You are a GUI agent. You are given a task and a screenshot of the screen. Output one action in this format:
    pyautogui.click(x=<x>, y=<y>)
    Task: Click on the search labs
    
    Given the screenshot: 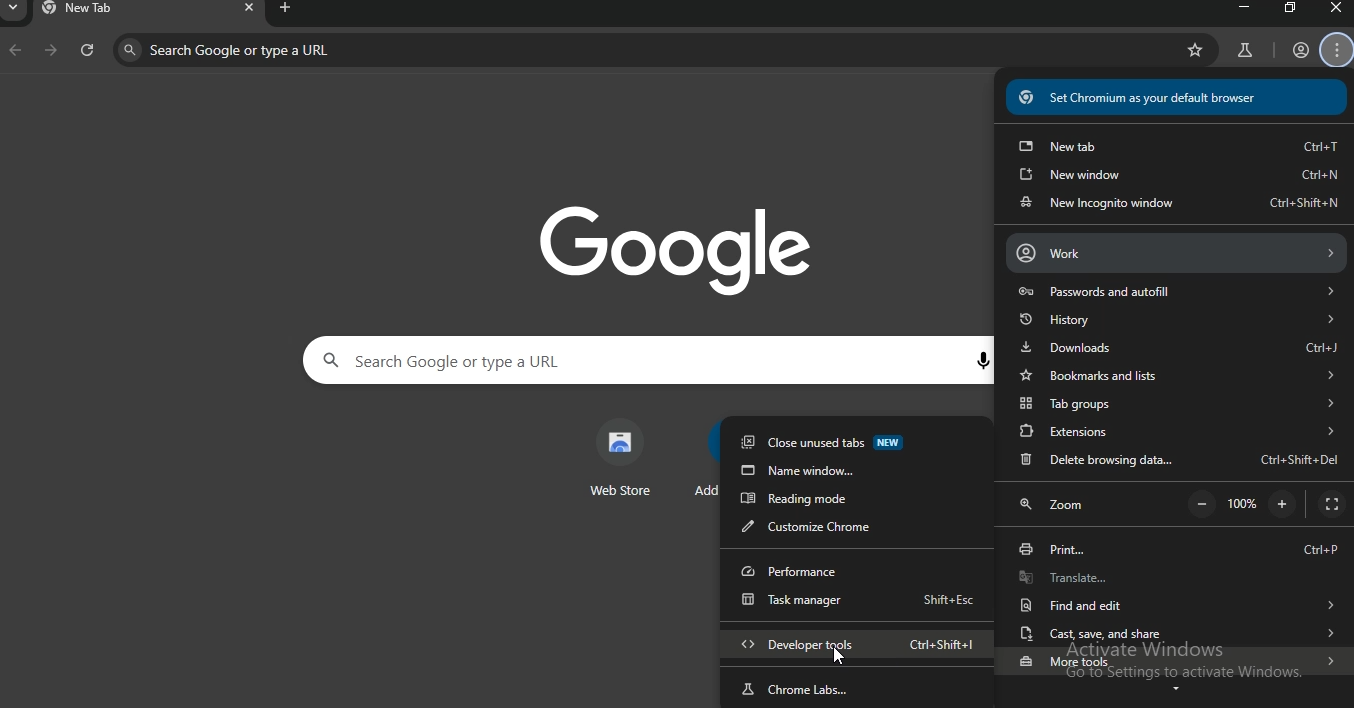 What is the action you would take?
    pyautogui.click(x=1241, y=54)
    